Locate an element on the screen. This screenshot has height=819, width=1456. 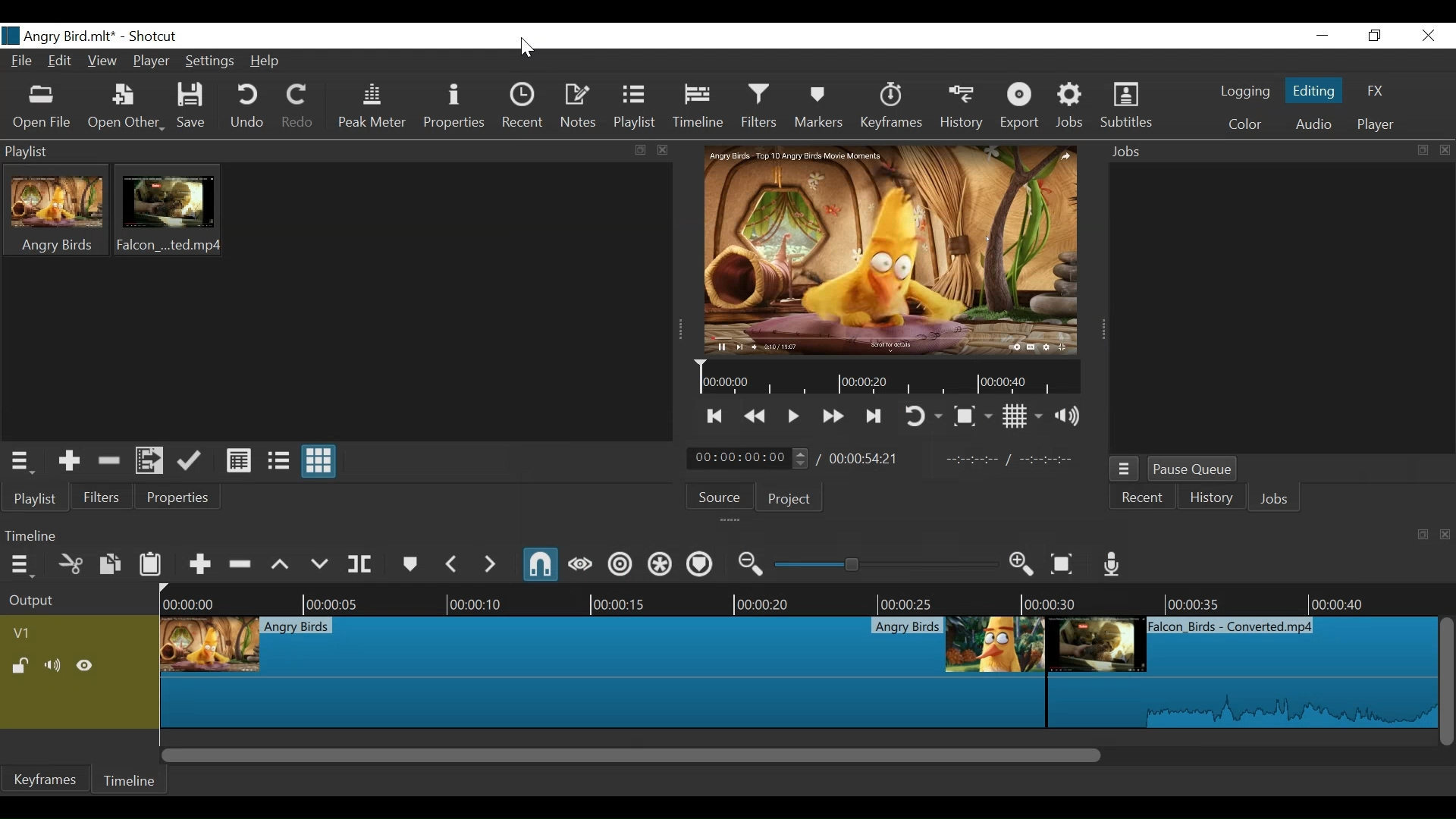
Project Nmae is located at coordinates (58, 35).